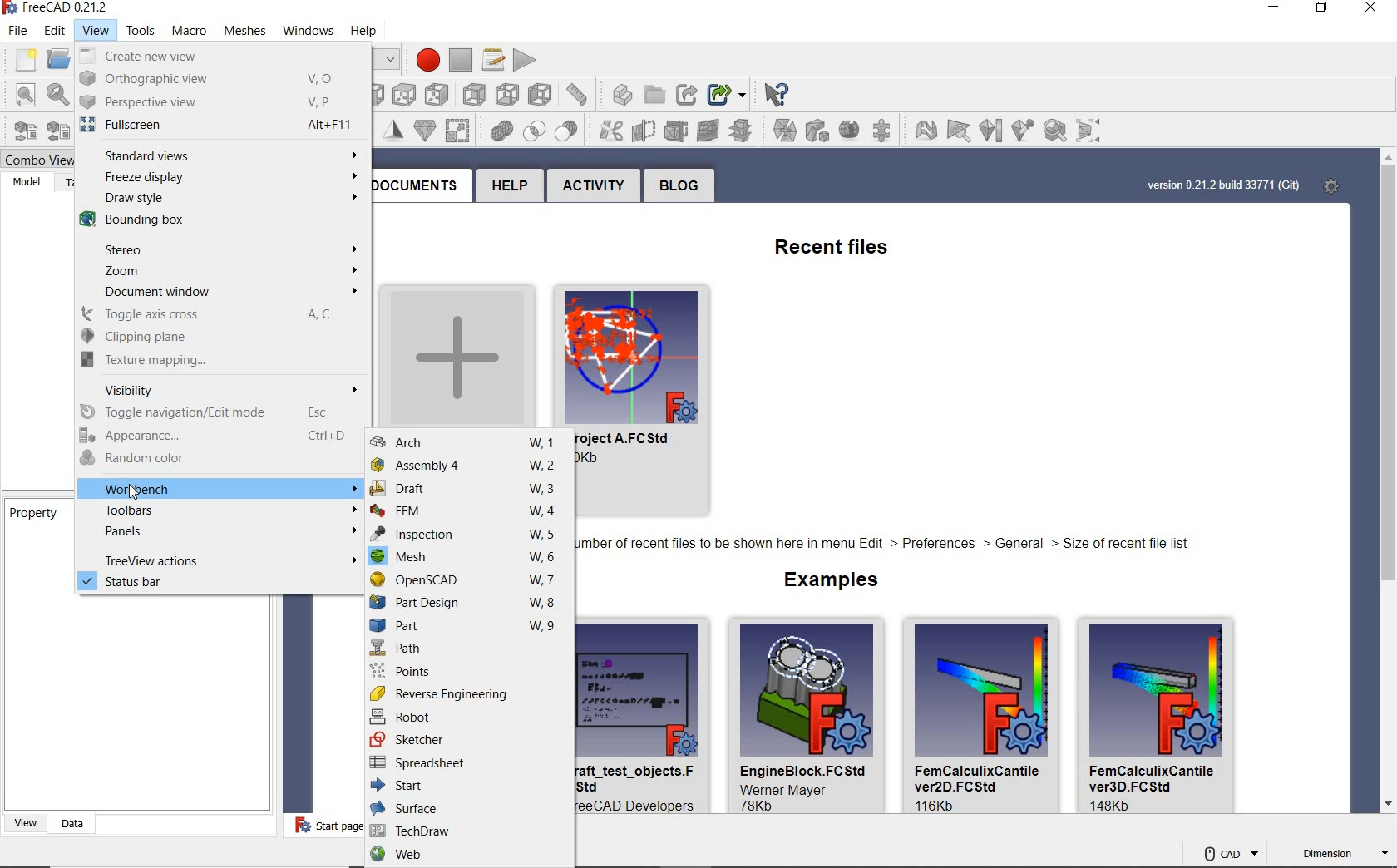 This screenshot has width=1397, height=868. What do you see at coordinates (460, 130) in the screenshot?
I see `union` at bounding box center [460, 130].